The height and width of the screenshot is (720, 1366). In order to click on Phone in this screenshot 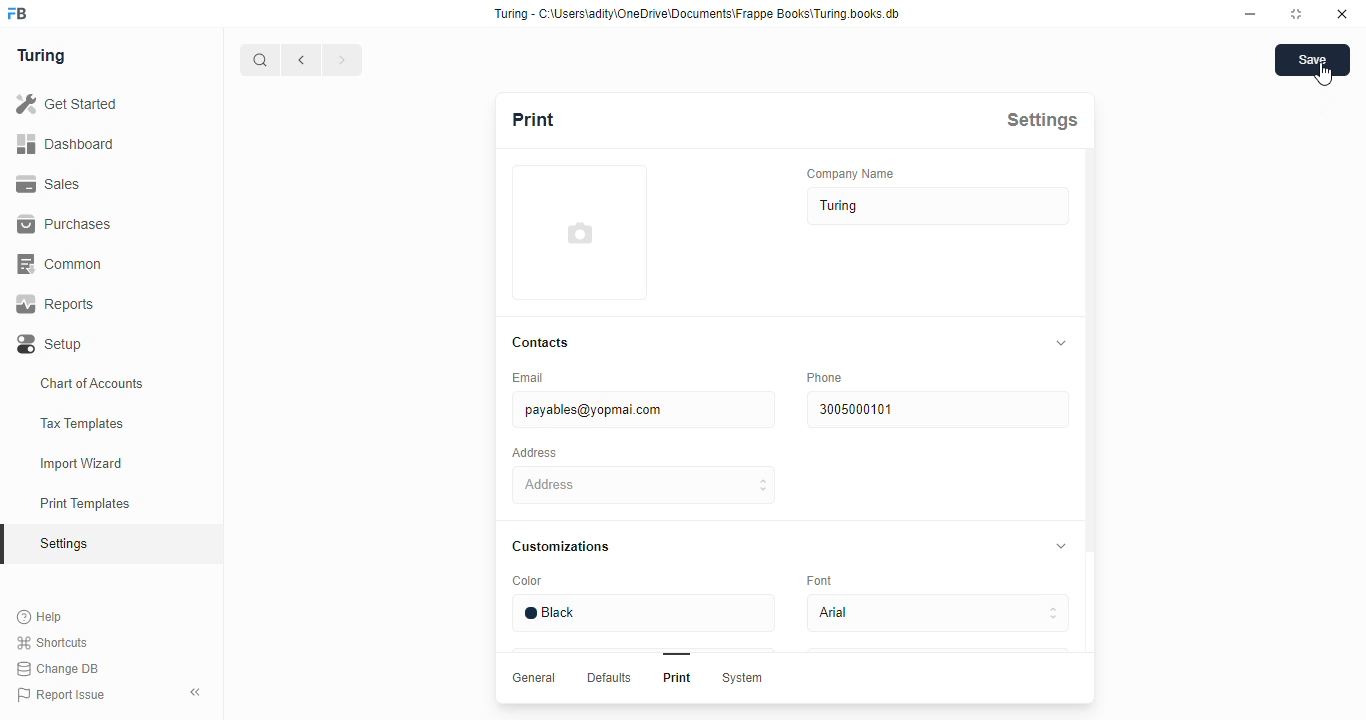, I will do `click(829, 377)`.